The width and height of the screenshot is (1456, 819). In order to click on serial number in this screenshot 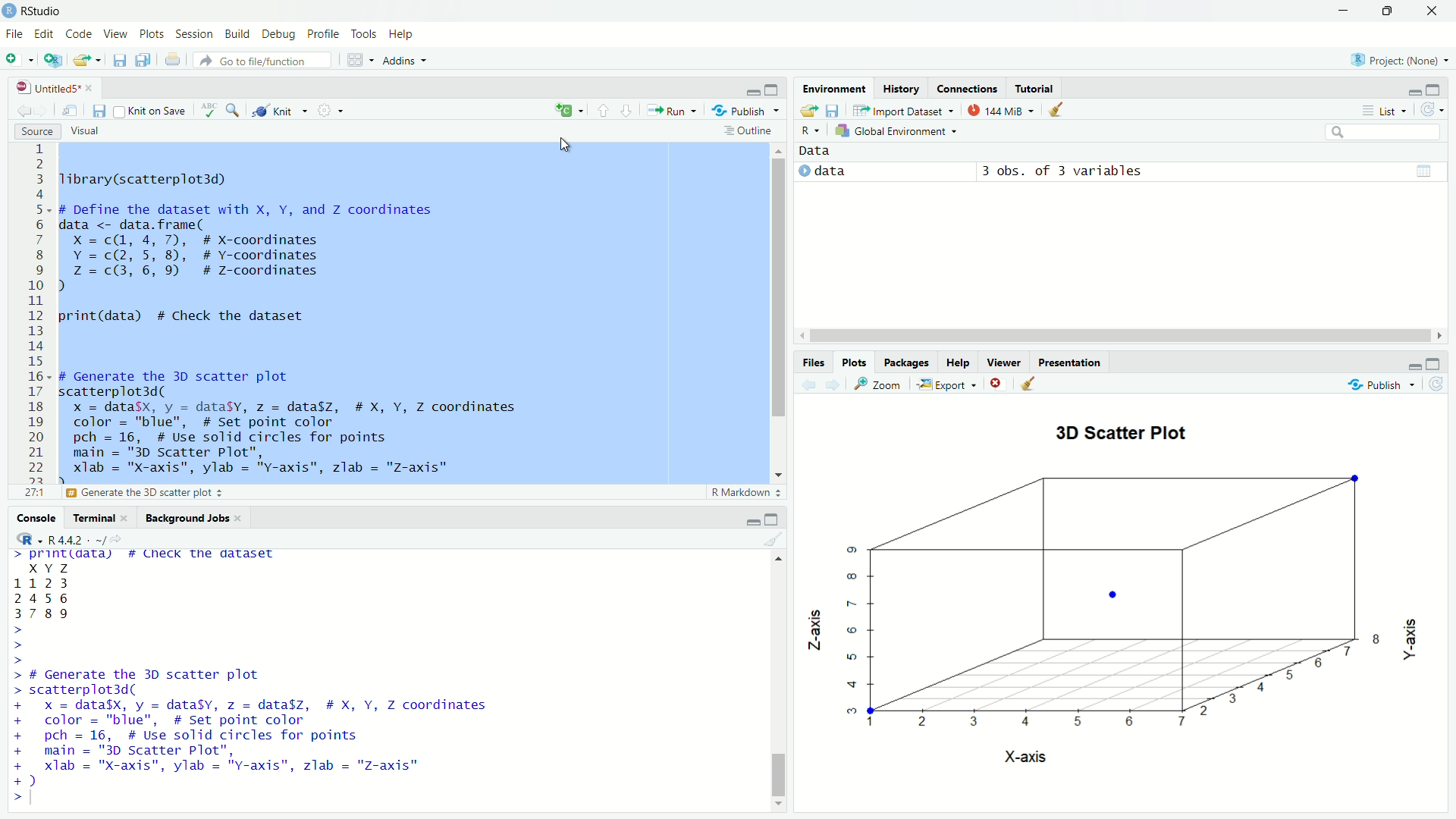, I will do `click(36, 312)`.